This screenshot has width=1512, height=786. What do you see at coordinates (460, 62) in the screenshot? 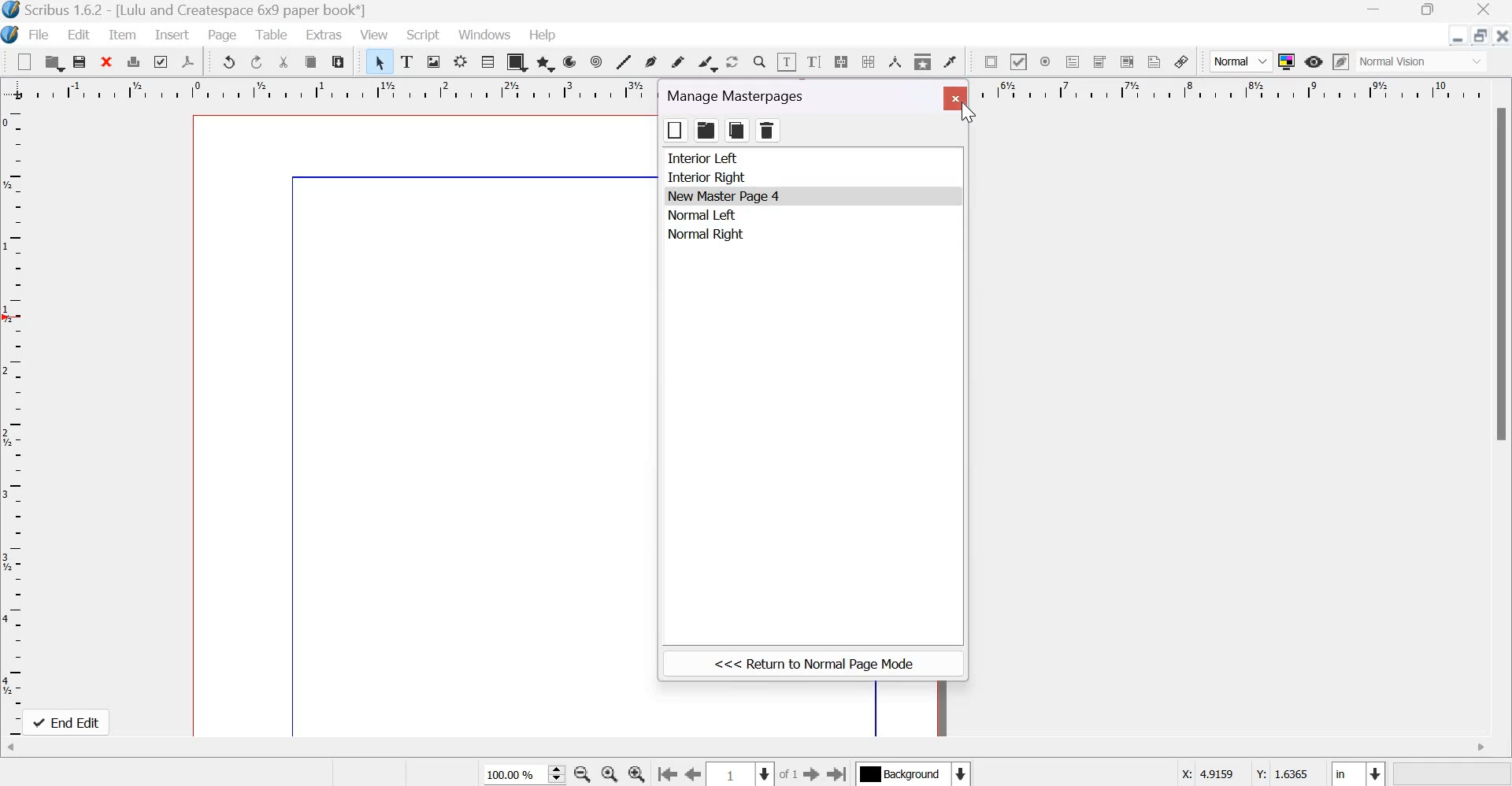
I see `Render frame` at bounding box center [460, 62].